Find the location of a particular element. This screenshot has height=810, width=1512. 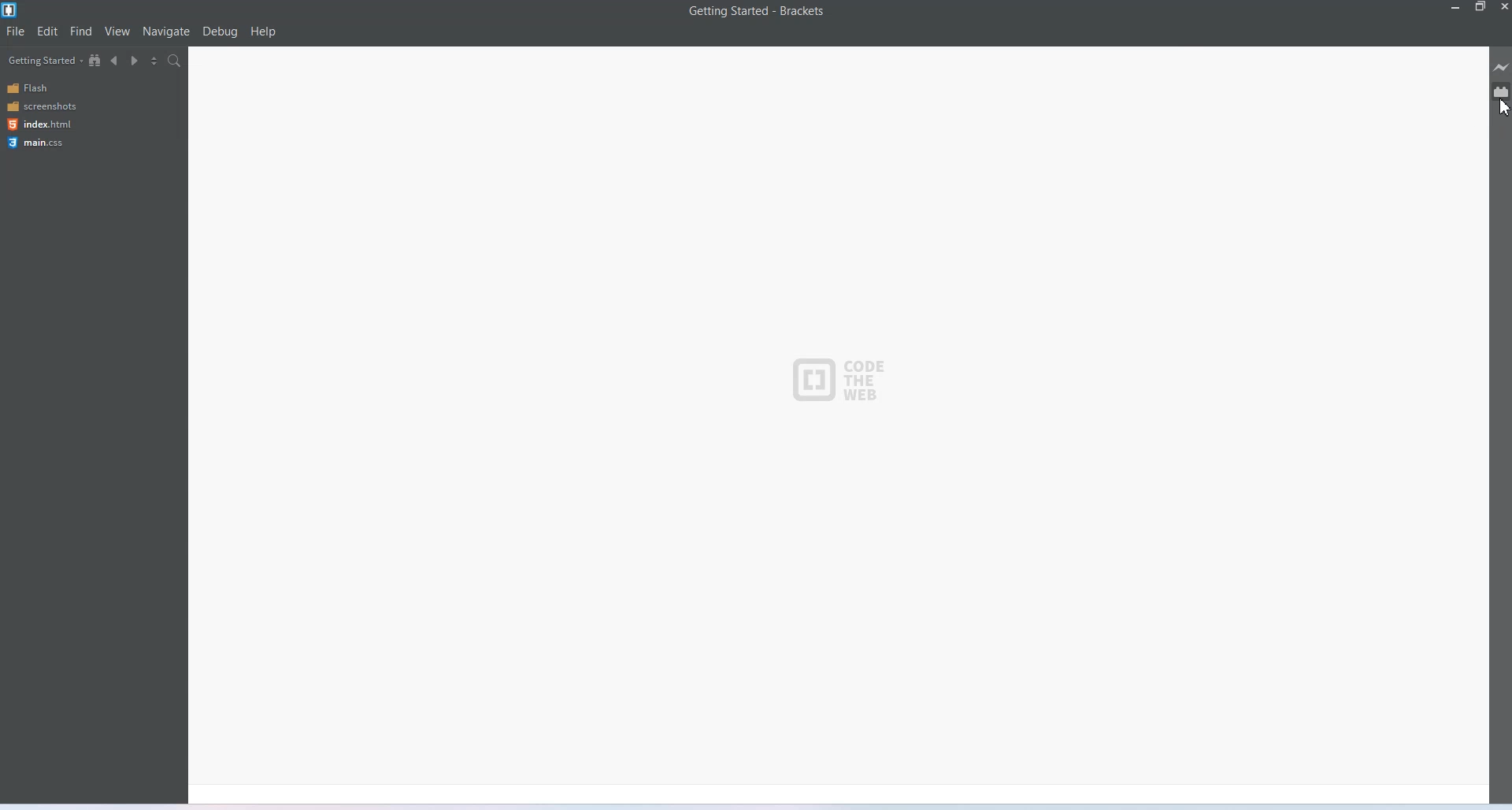

Maximize is located at coordinates (1480, 9).